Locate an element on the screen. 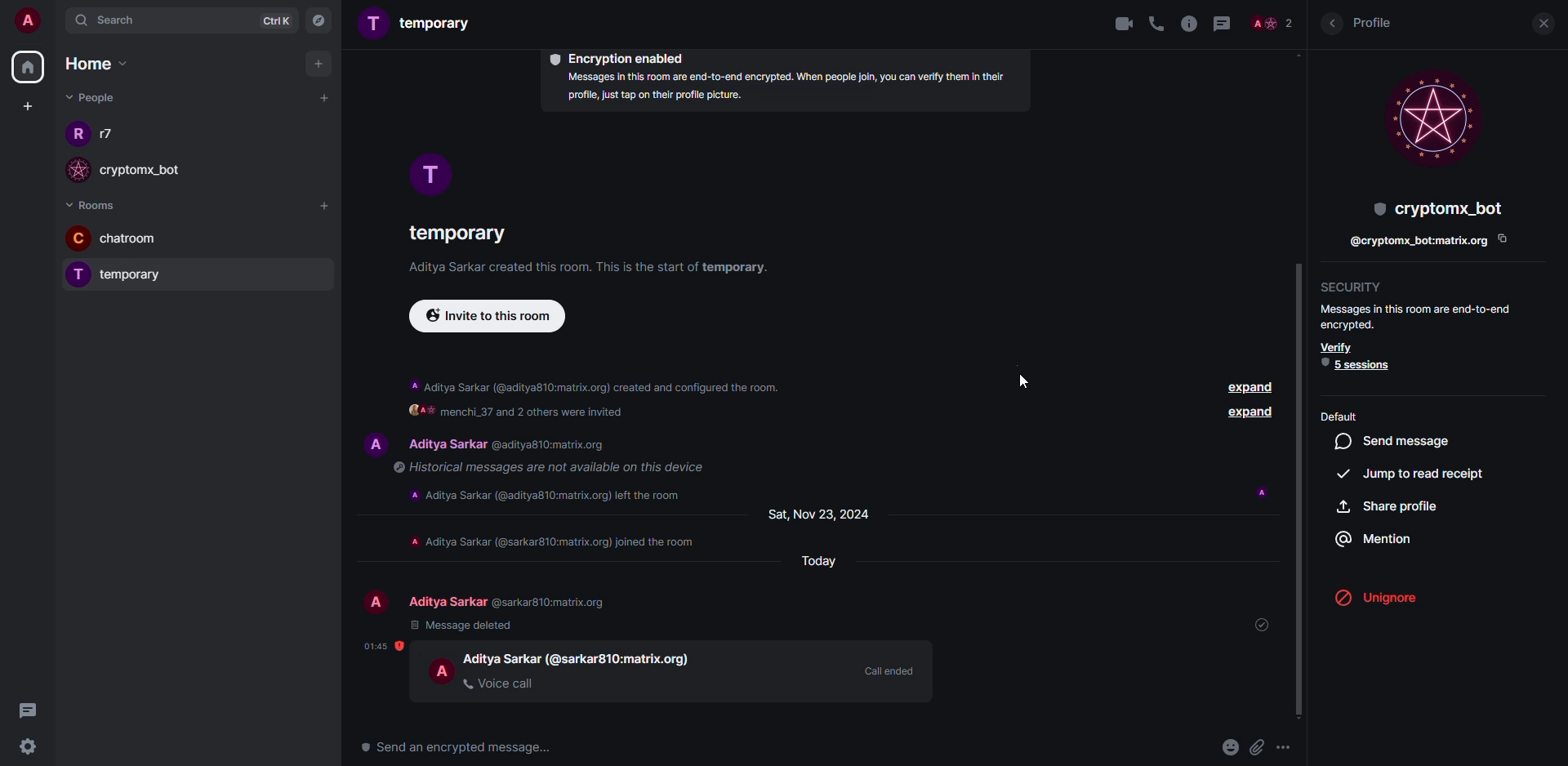 The width and height of the screenshot is (1568, 766). info is located at coordinates (551, 493).